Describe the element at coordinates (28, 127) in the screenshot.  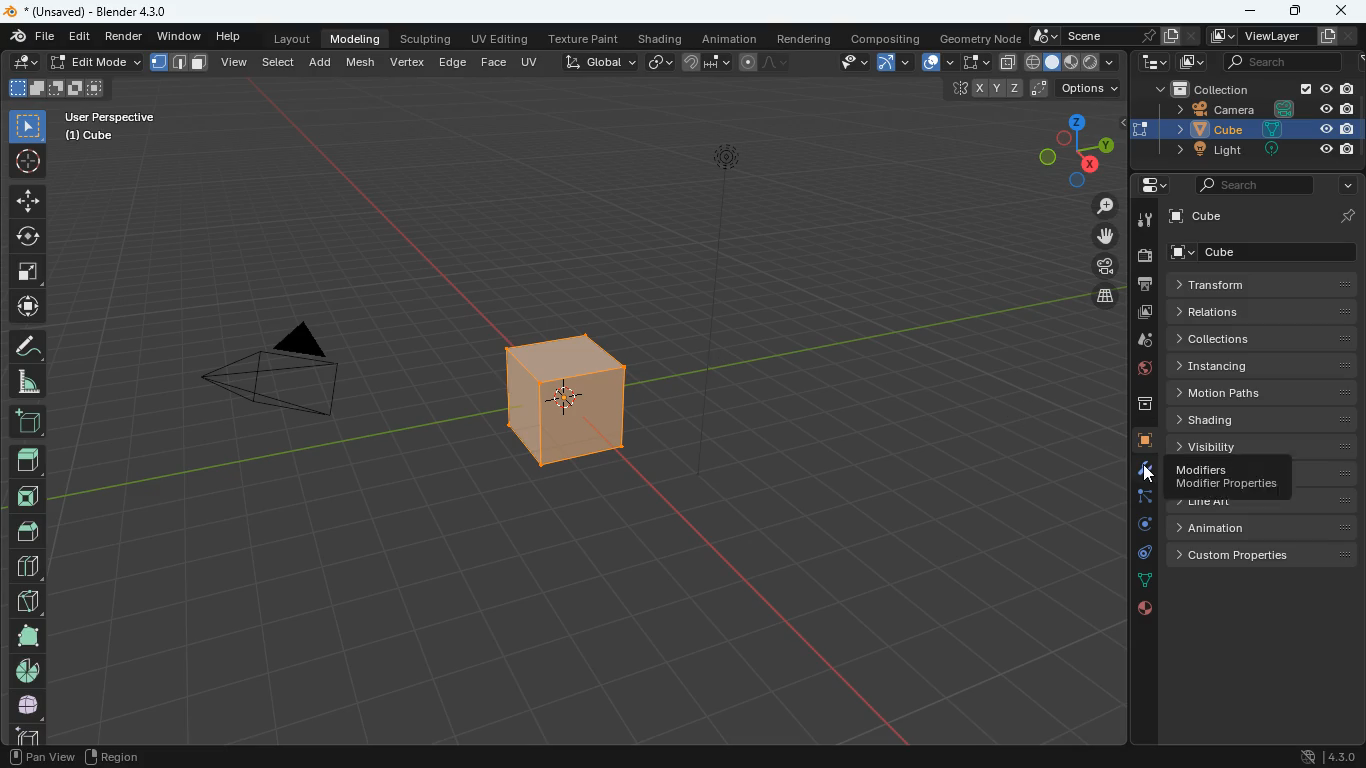
I see `select` at that location.